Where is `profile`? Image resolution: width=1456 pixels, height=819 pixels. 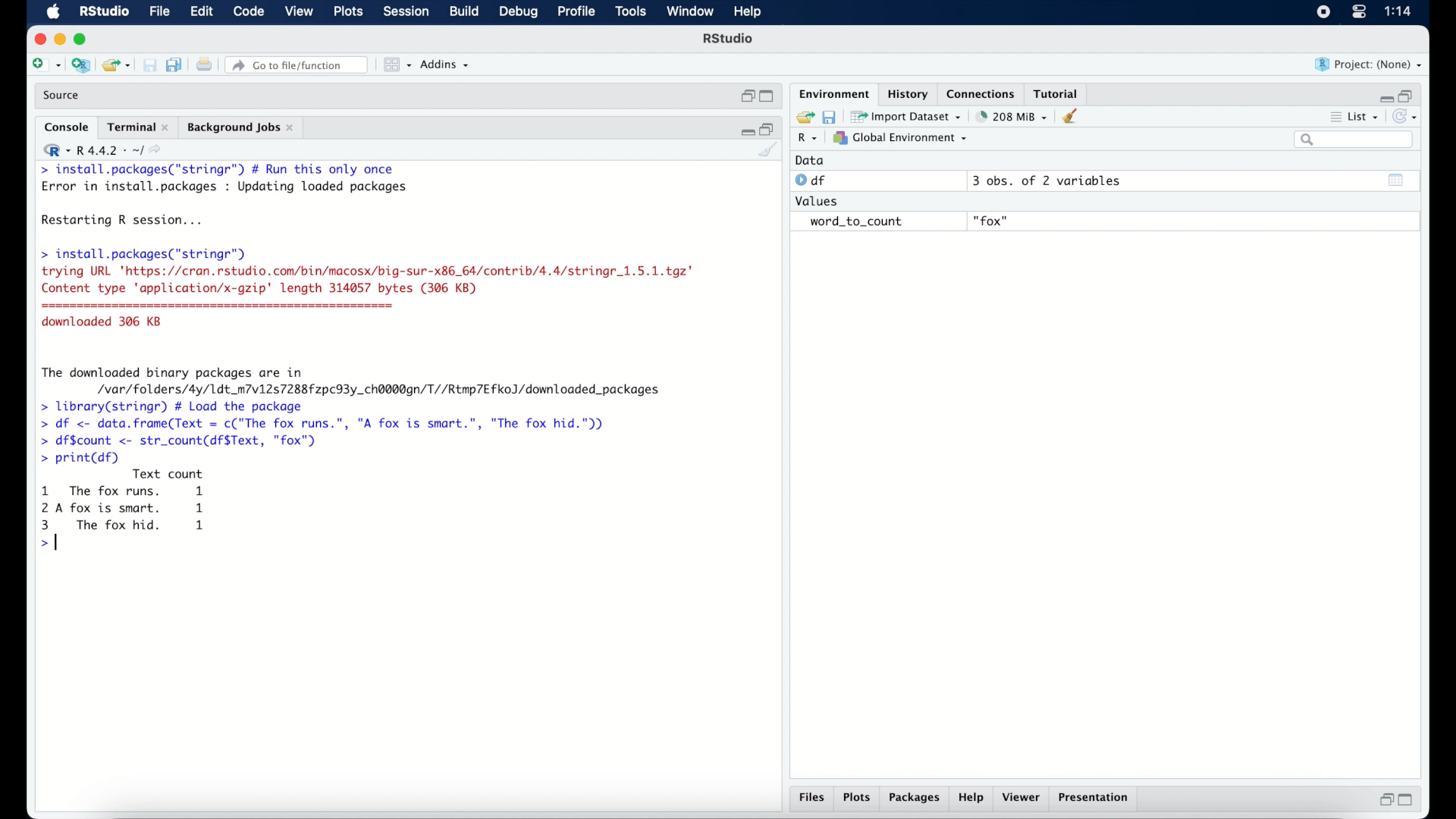
profile is located at coordinates (575, 12).